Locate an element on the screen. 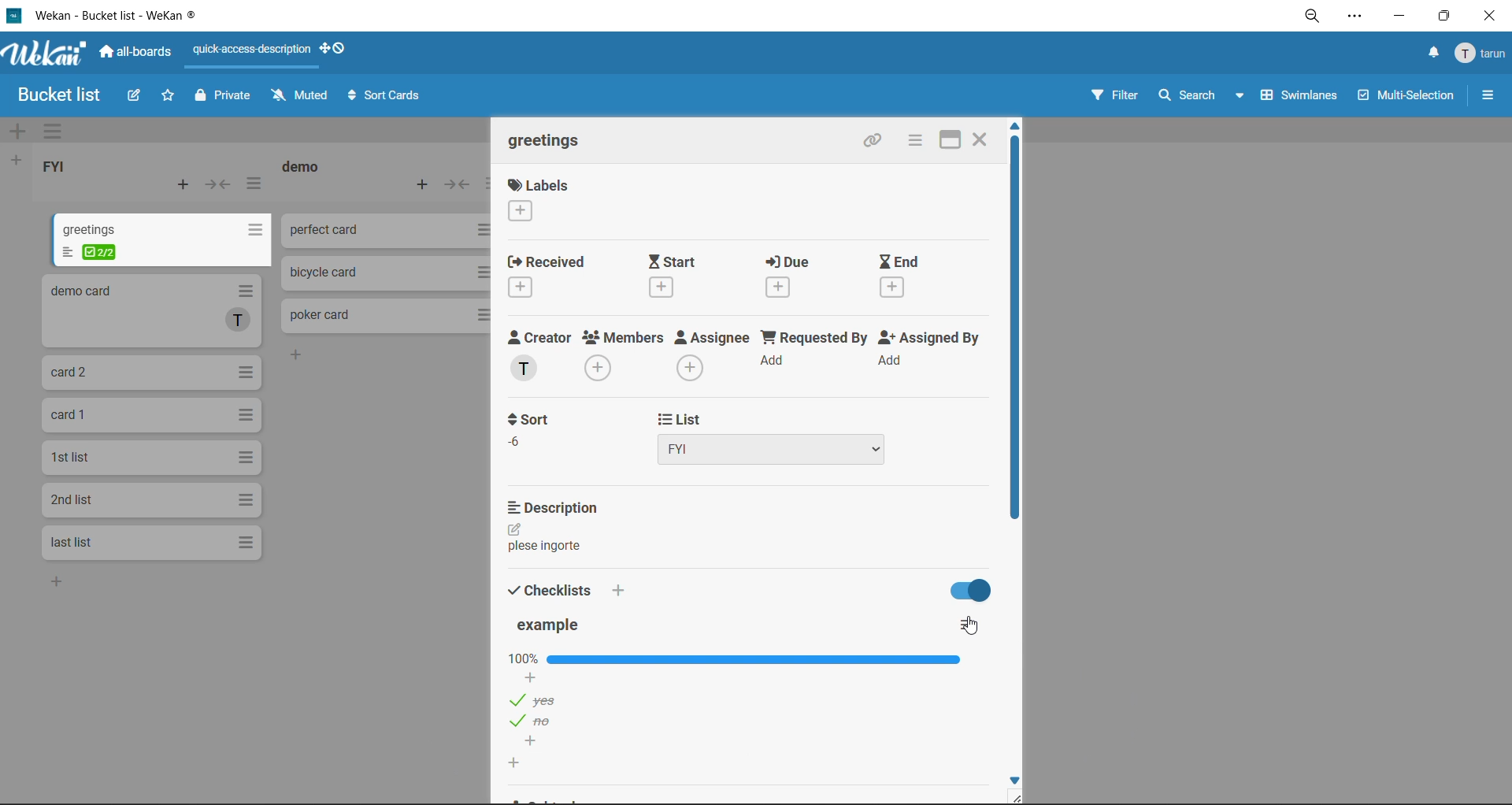  list actions is located at coordinates (256, 187).